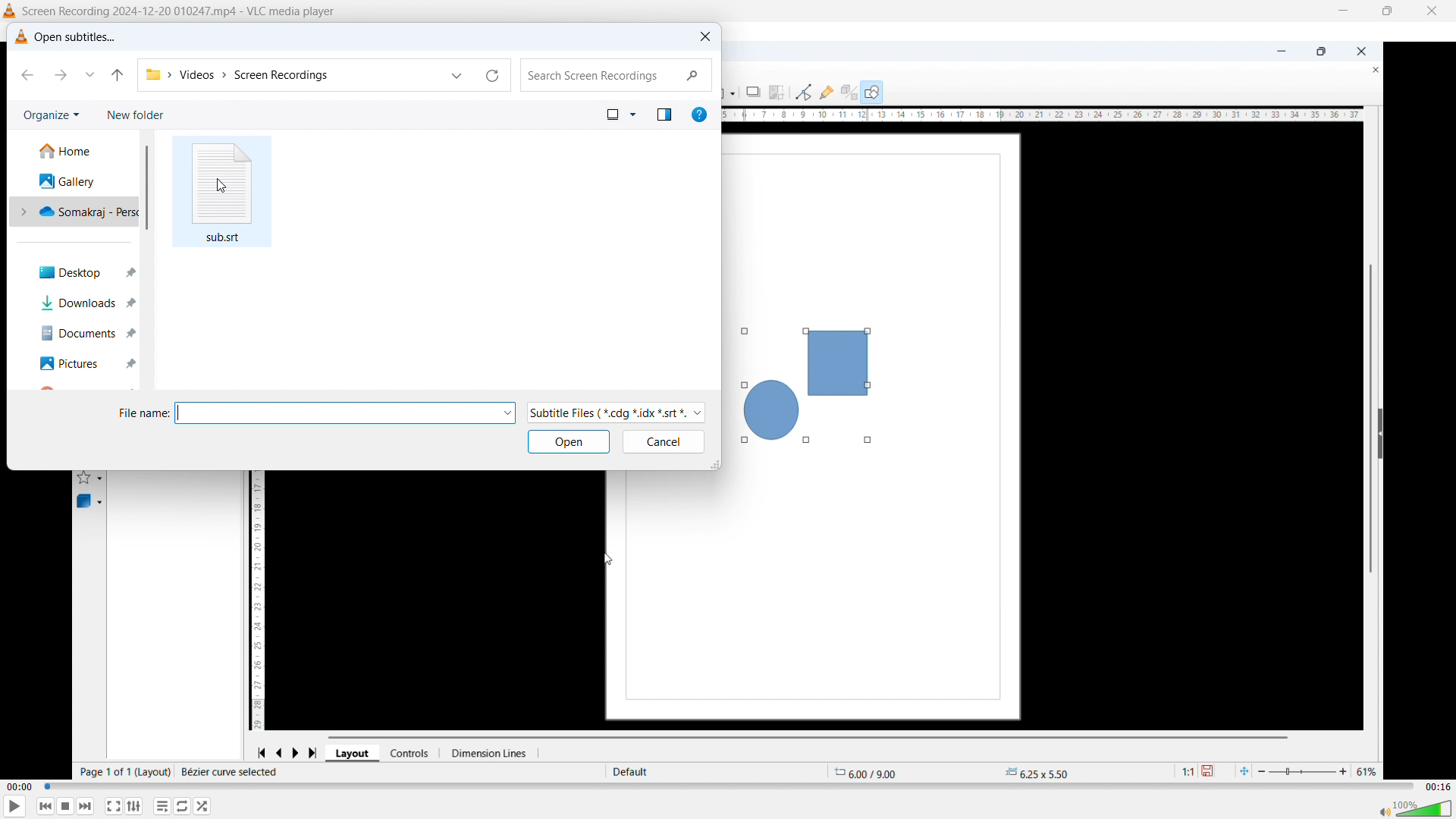 The height and width of the screenshot is (819, 1456). Describe the element at coordinates (1341, 12) in the screenshot. I see `minimize` at that location.